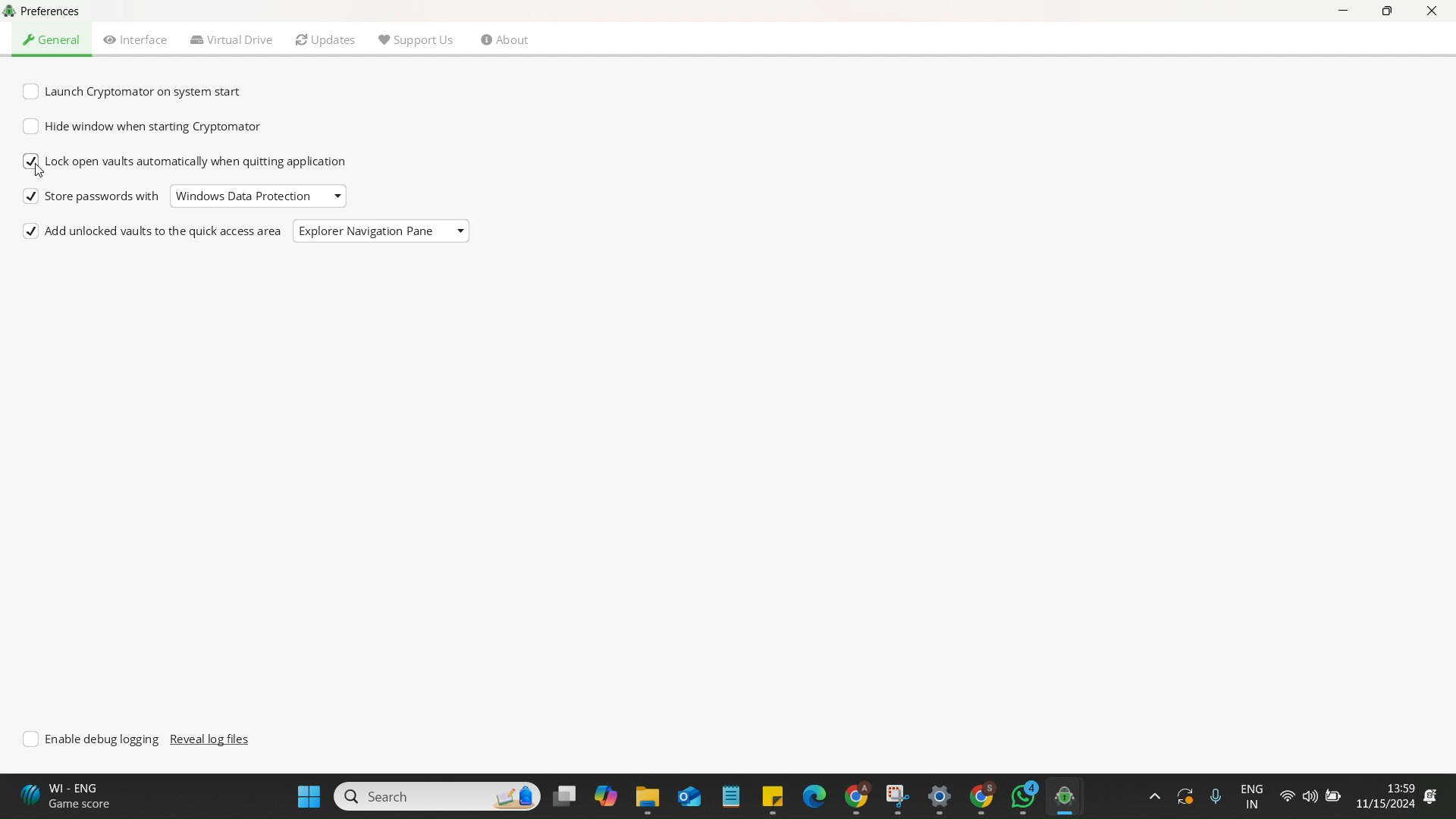  What do you see at coordinates (243, 196) in the screenshot?
I see `Window Data Protection` at bounding box center [243, 196].